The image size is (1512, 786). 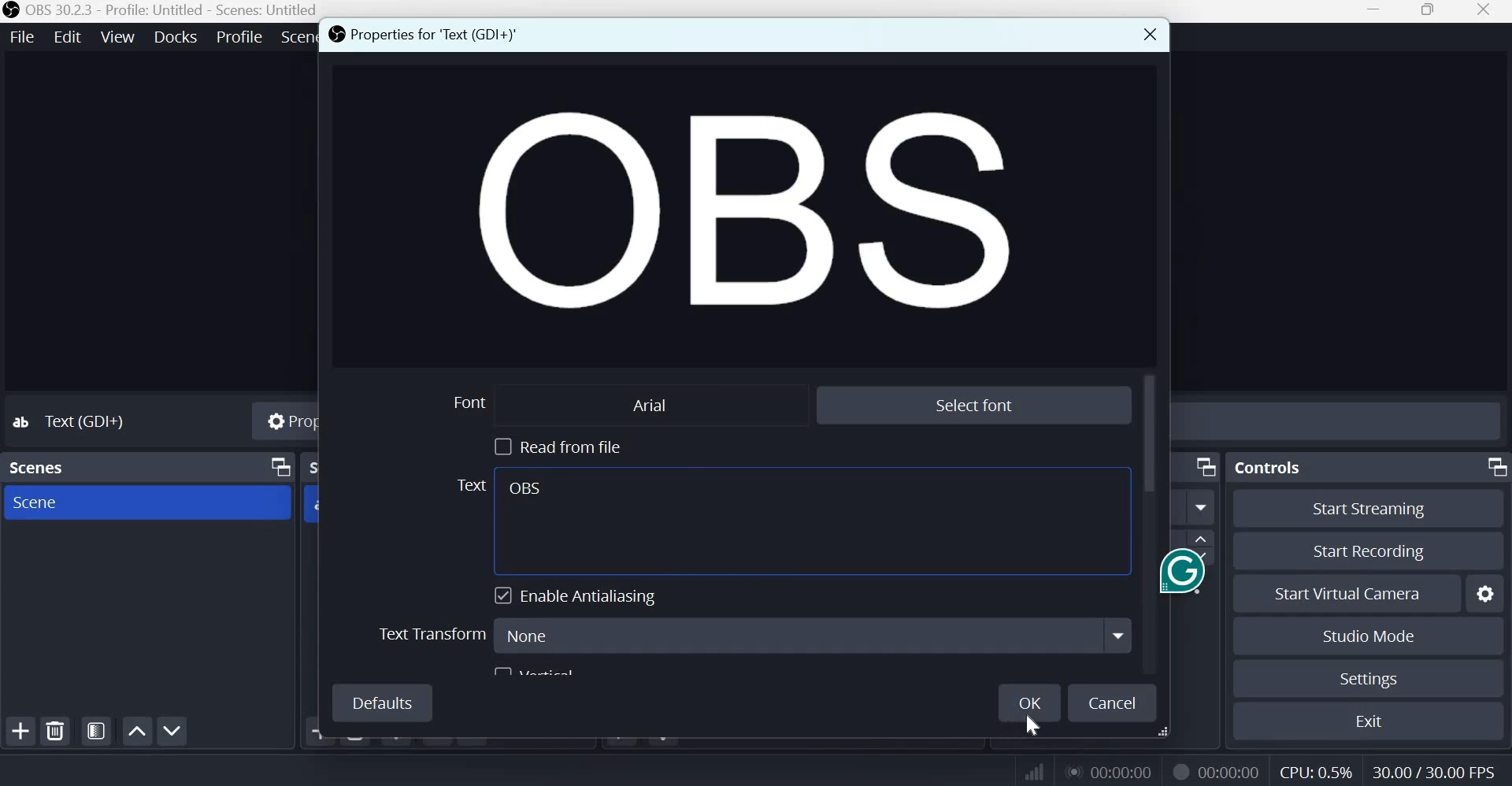 I want to click on Start streaming, so click(x=1369, y=509).